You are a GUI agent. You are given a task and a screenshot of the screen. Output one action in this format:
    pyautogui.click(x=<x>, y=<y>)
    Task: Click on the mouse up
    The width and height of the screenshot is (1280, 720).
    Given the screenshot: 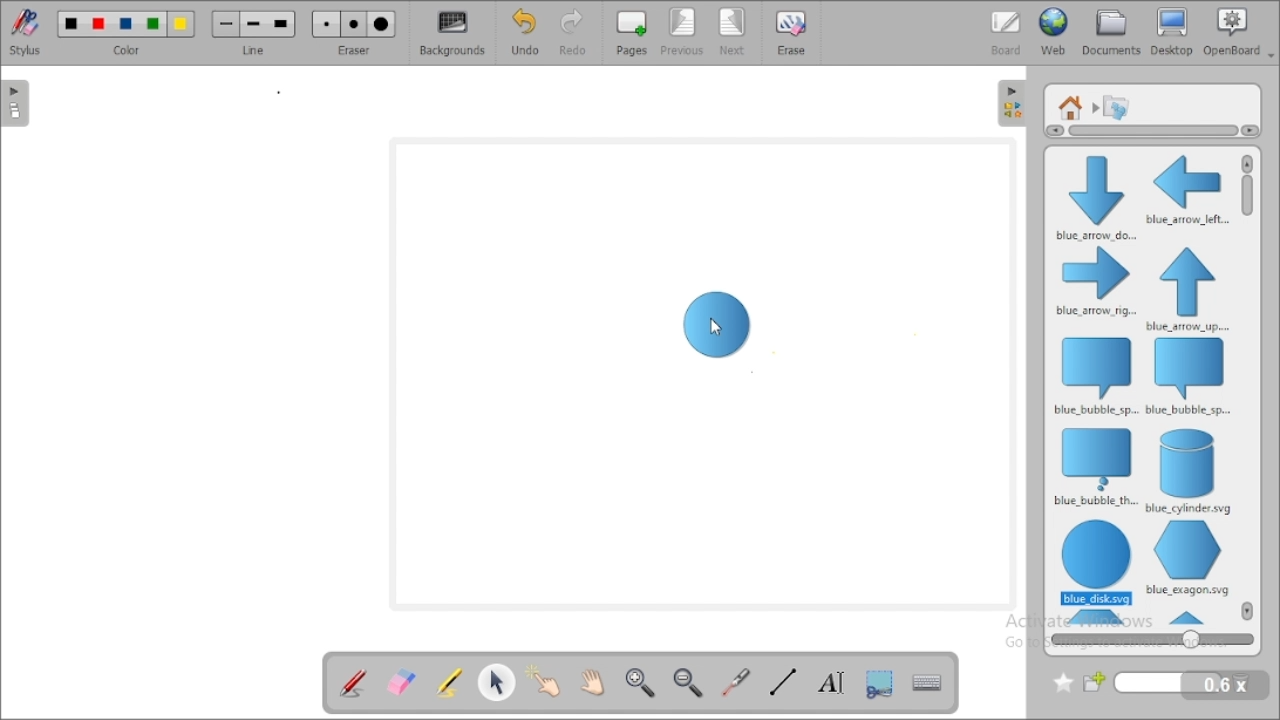 What is the action you would take?
    pyautogui.click(x=716, y=327)
    